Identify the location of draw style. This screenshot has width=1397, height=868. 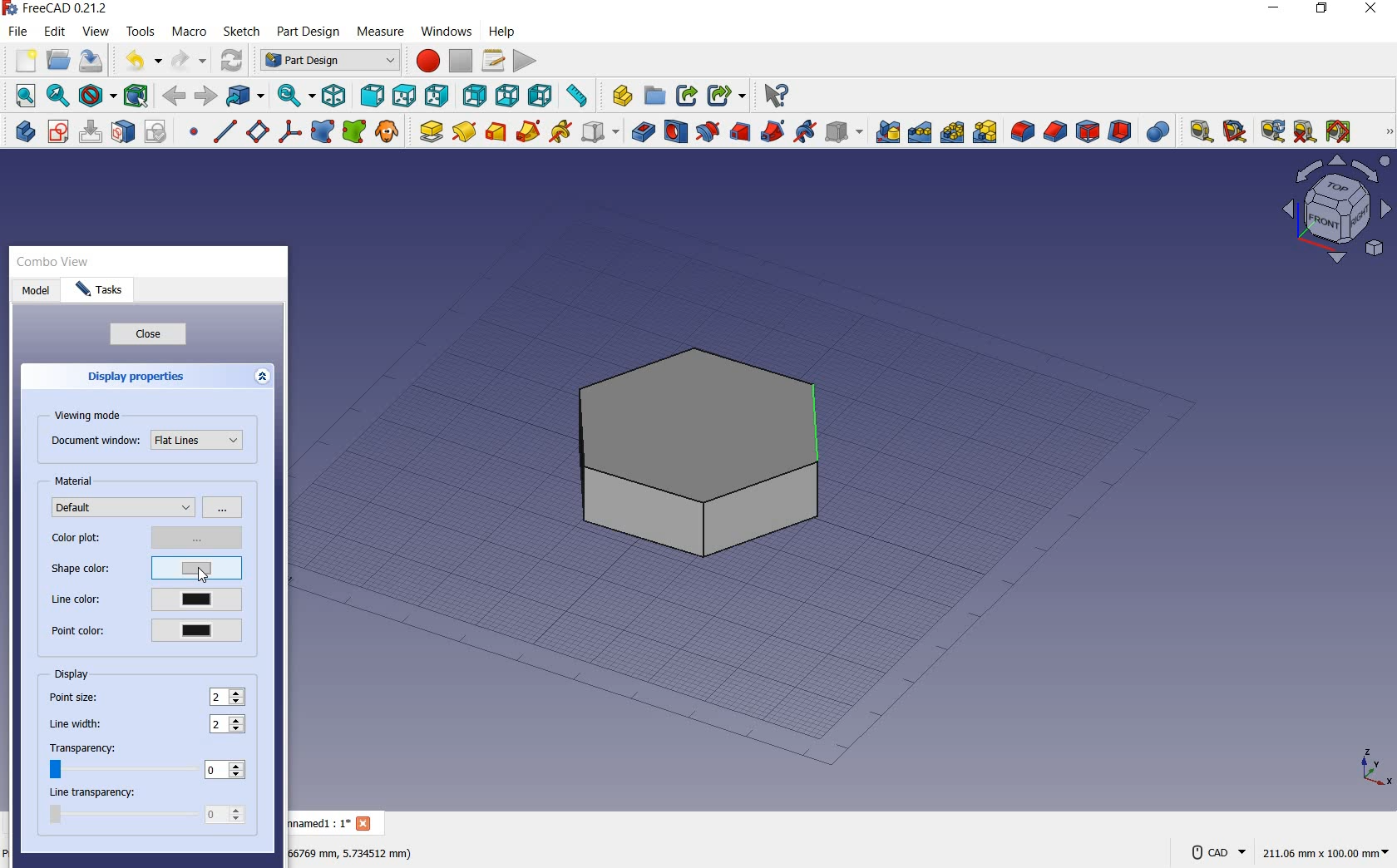
(96, 96).